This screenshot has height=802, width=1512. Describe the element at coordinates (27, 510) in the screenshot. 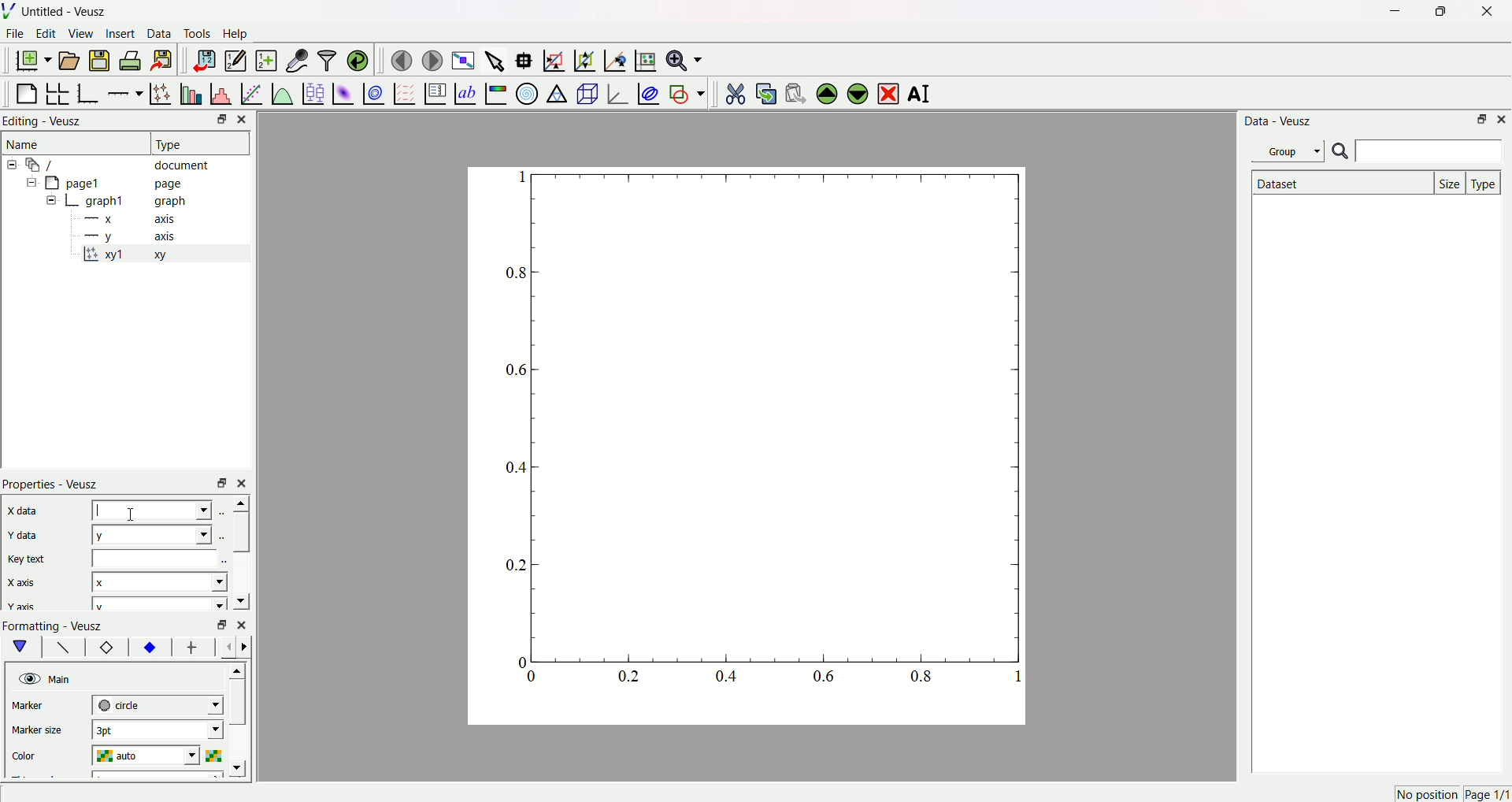

I see `x data` at that location.